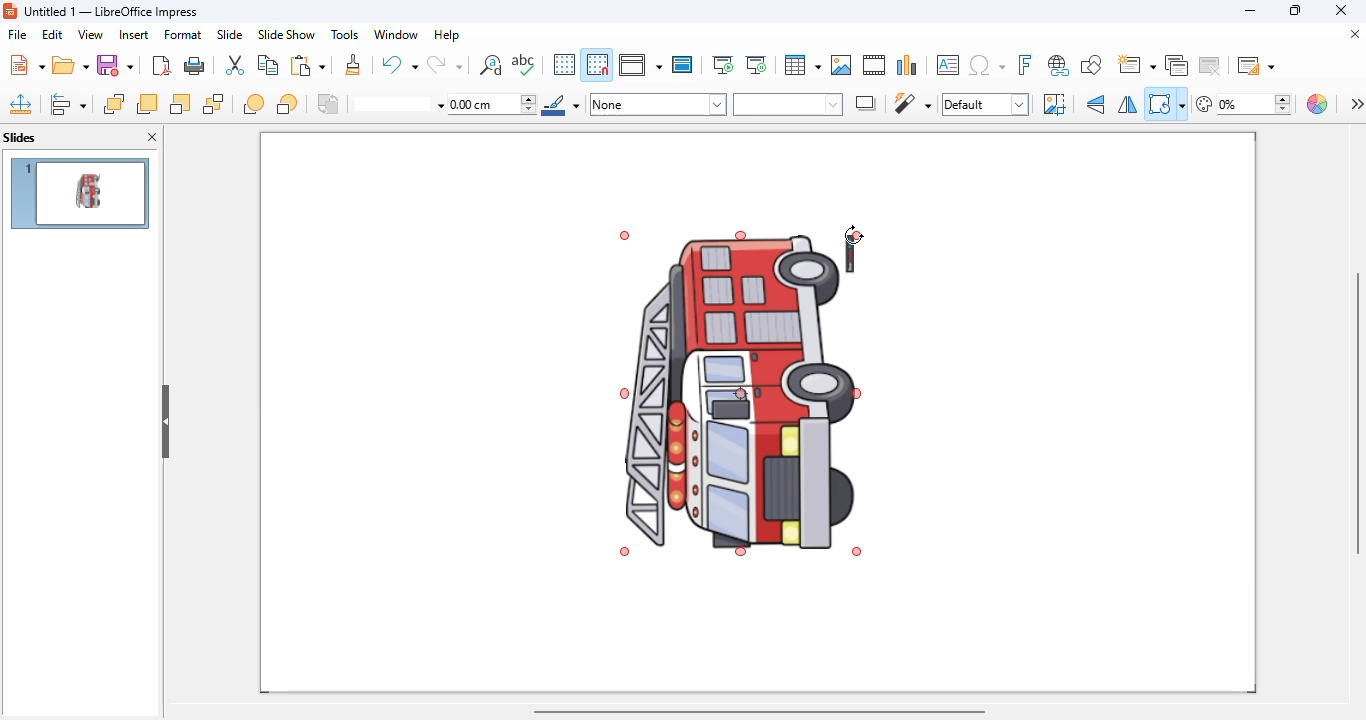 This screenshot has height=720, width=1366. Describe the element at coordinates (10, 10) in the screenshot. I see `logo` at that location.